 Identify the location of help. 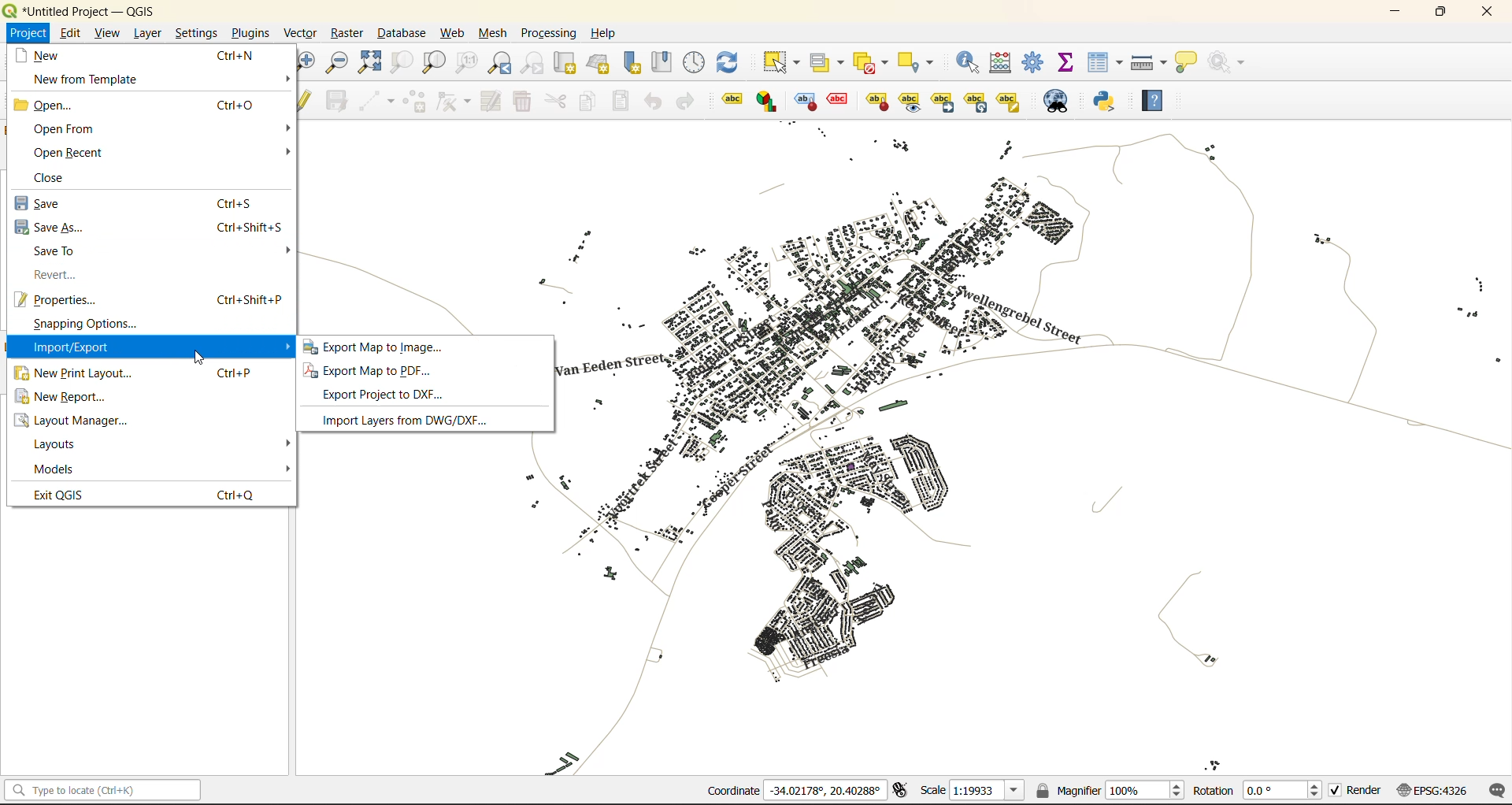
(1159, 100).